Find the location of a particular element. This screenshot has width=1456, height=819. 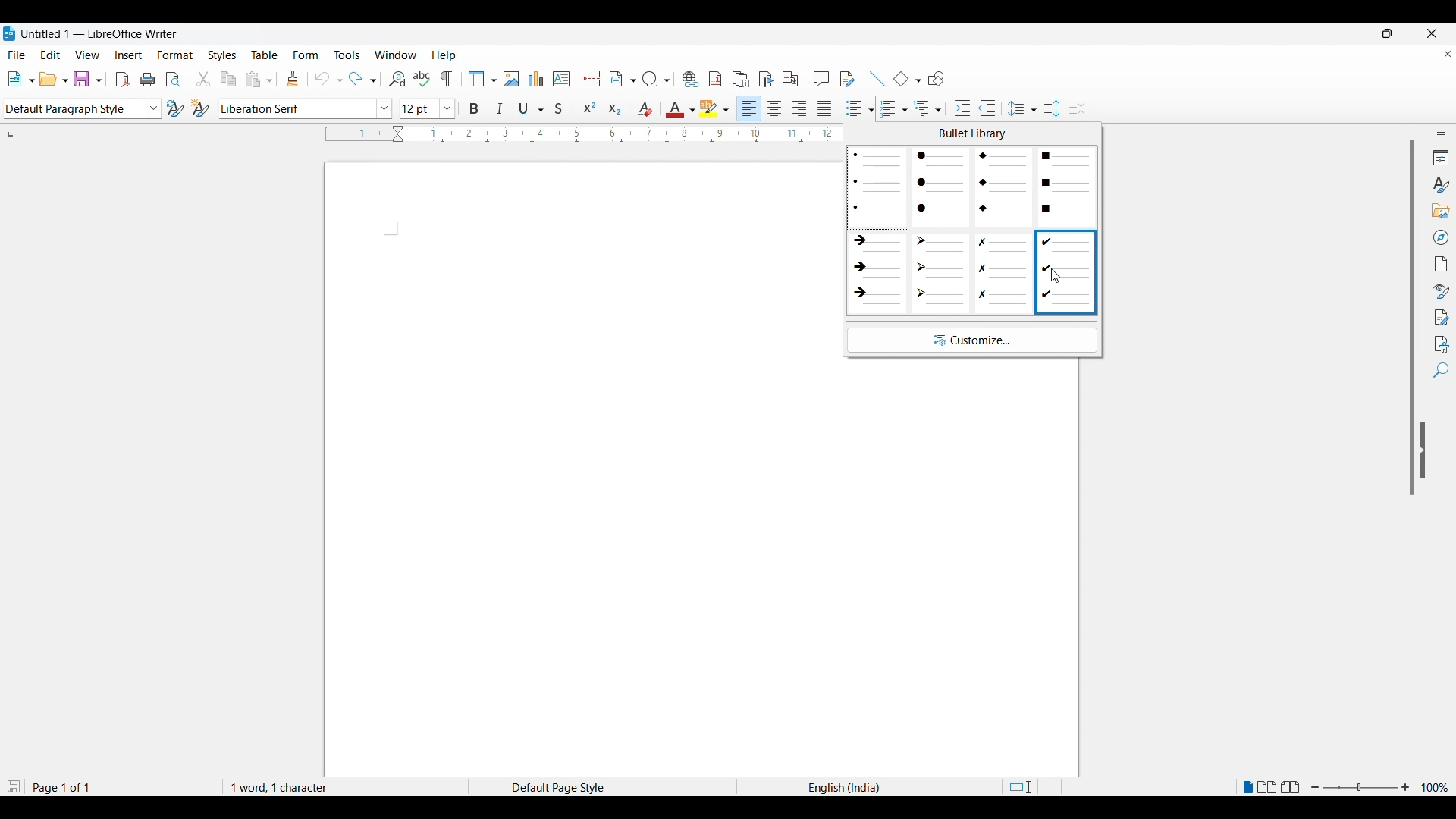

close is located at coordinates (1442, 55).